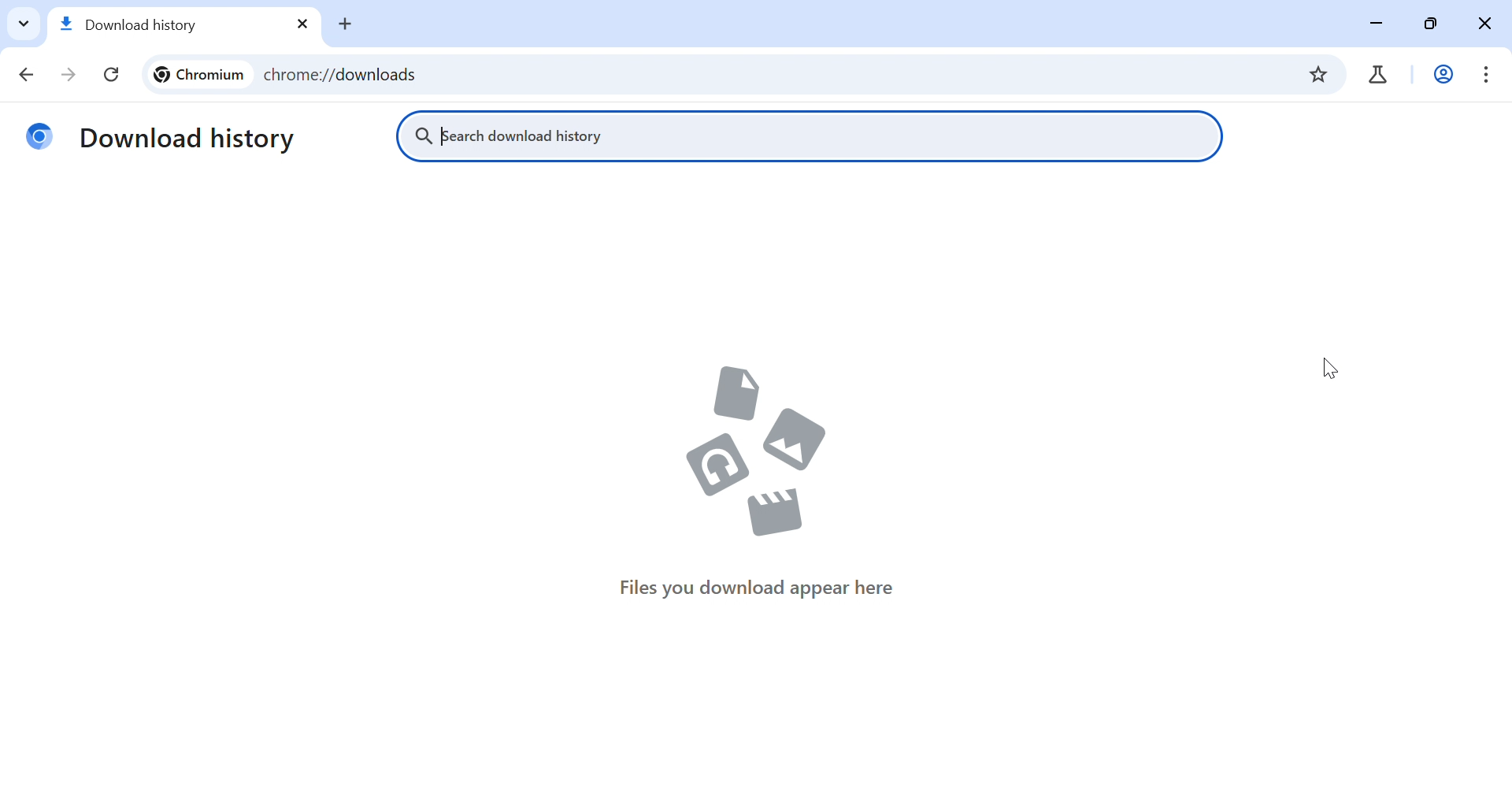 This screenshot has height=794, width=1512. Describe the element at coordinates (1373, 76) in the screenshot. I see `Chrome tabs` at that location.